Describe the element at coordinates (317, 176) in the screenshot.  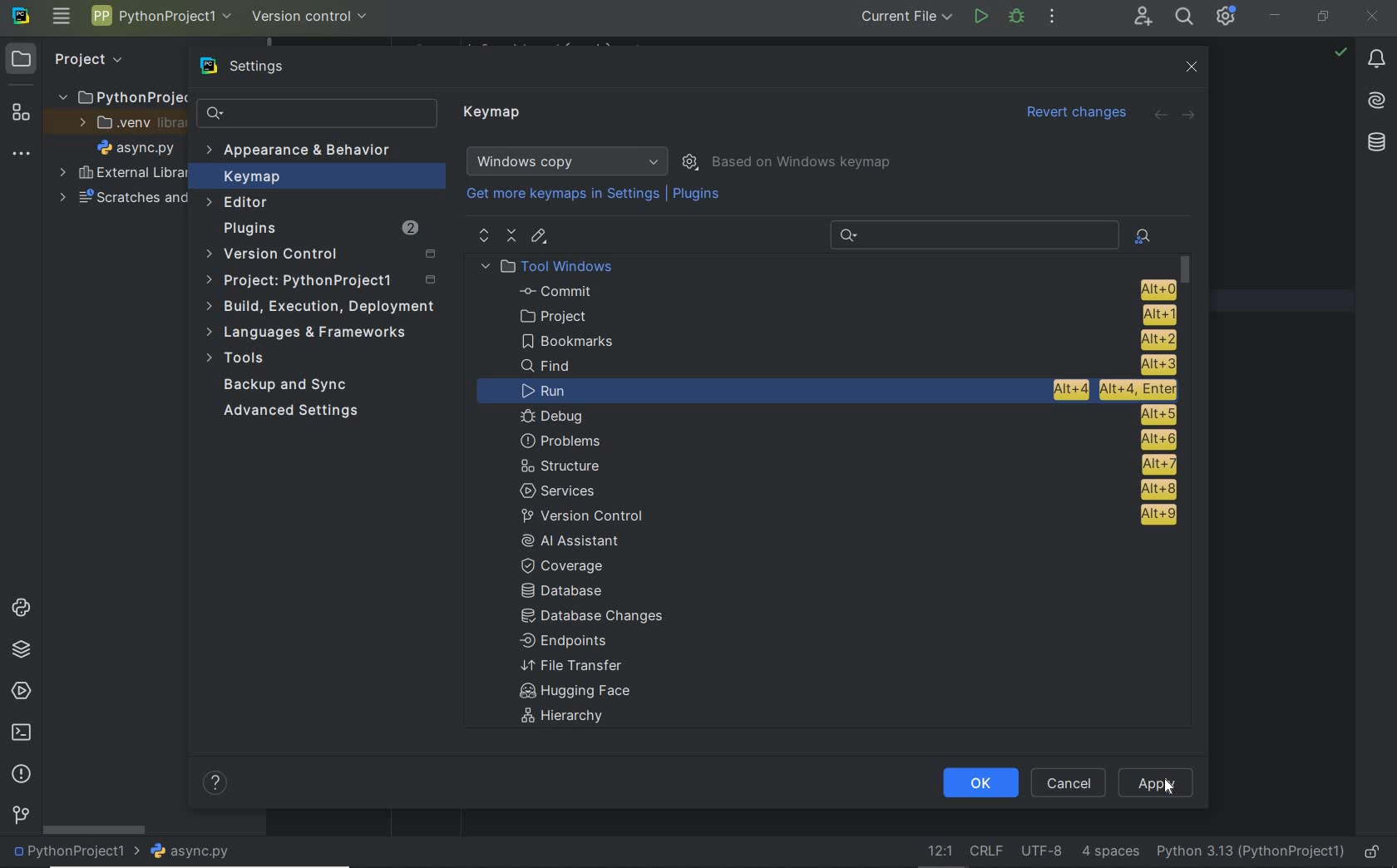
I see `Keymap` at that location.